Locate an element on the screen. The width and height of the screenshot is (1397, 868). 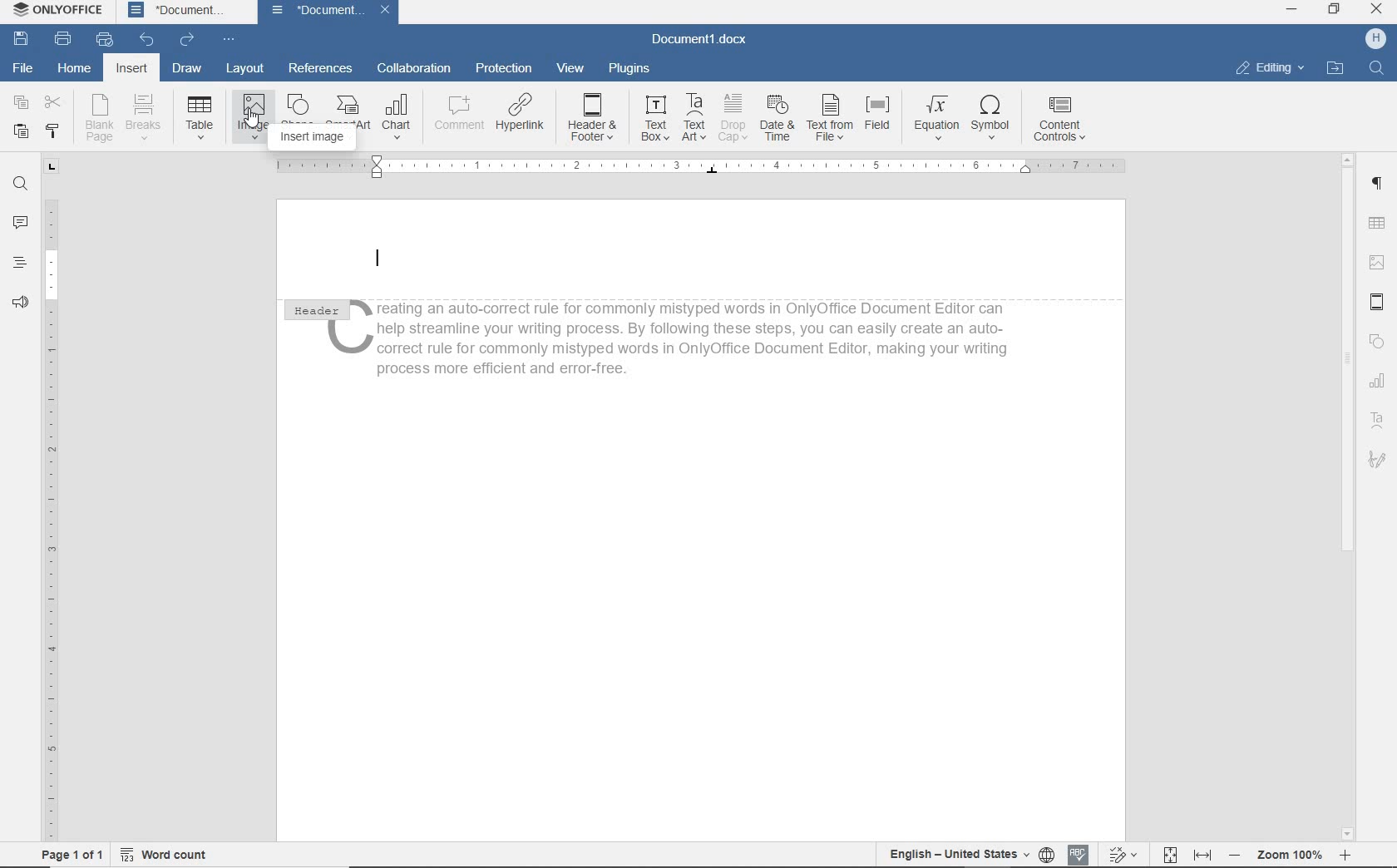
SIGNATURE is located at coordinates (1379, 462).